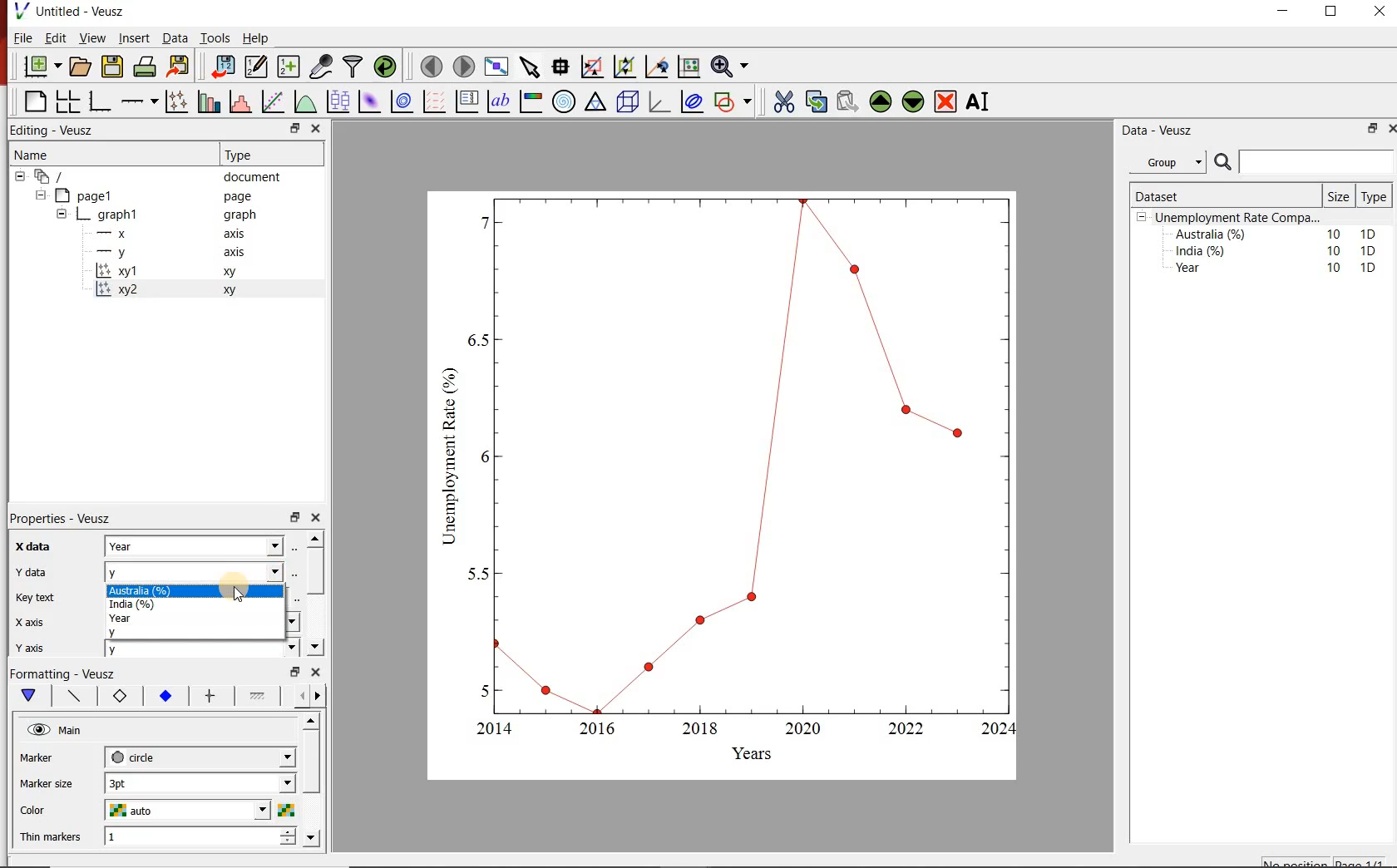 This screenshot has height=868, width=1397. I want to click on move up, so click(313, 721).